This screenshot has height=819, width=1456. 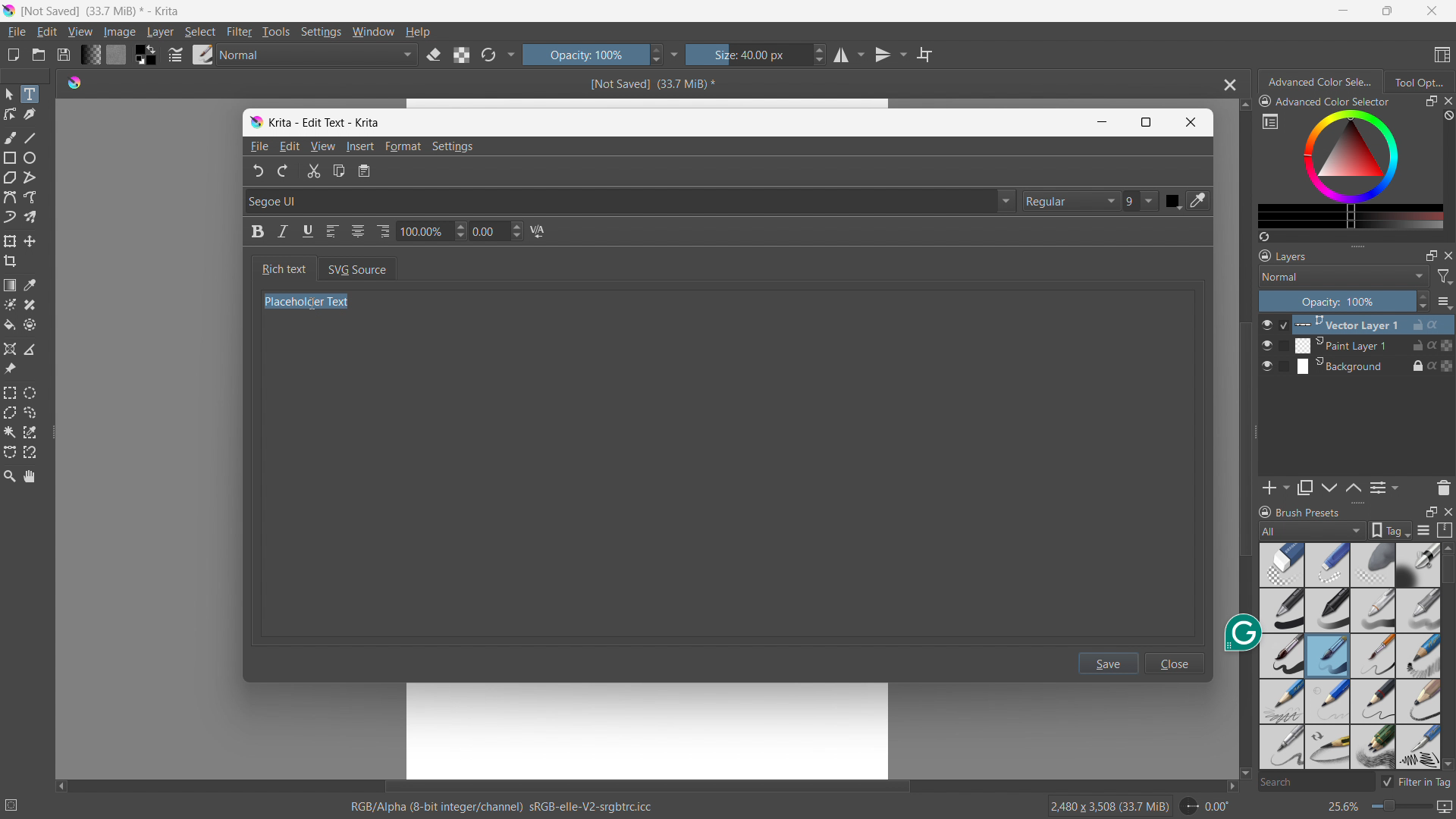 What do you see at coordinates (10, 218) in the screenshot?
I see `dynamic brush tool` at bounding box center [10, 218].